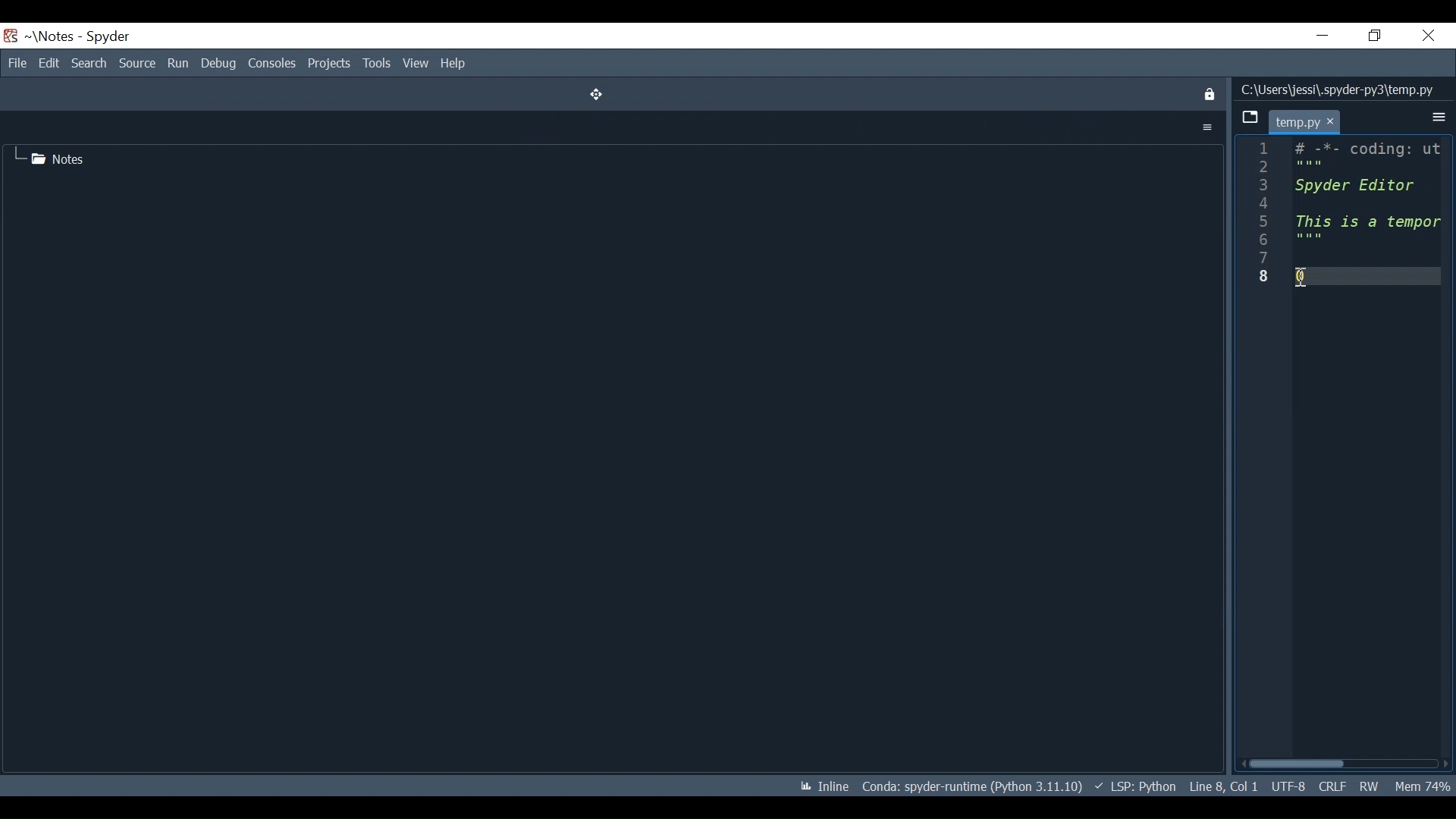  I want to click on UTF-8, so click(1287, 785).